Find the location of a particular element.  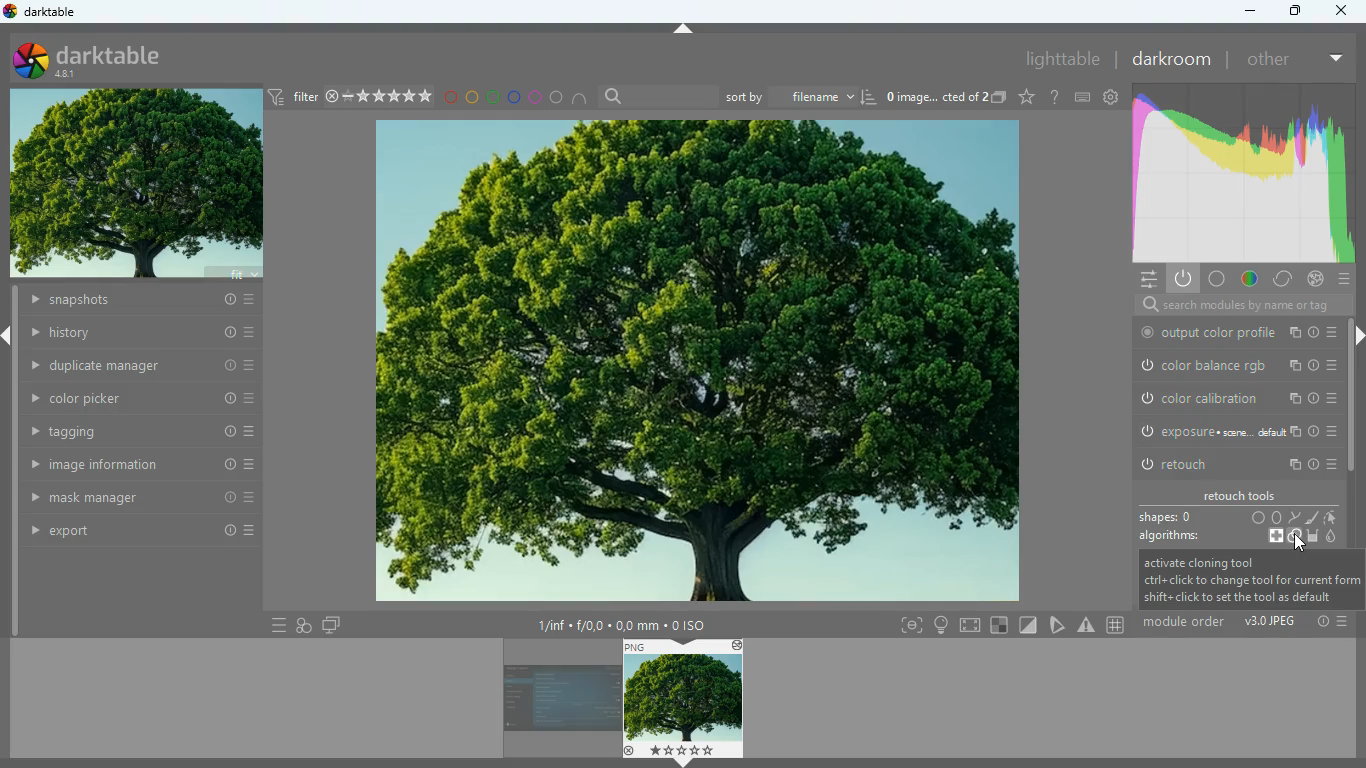

image type is located at coordinates (1271, 622).